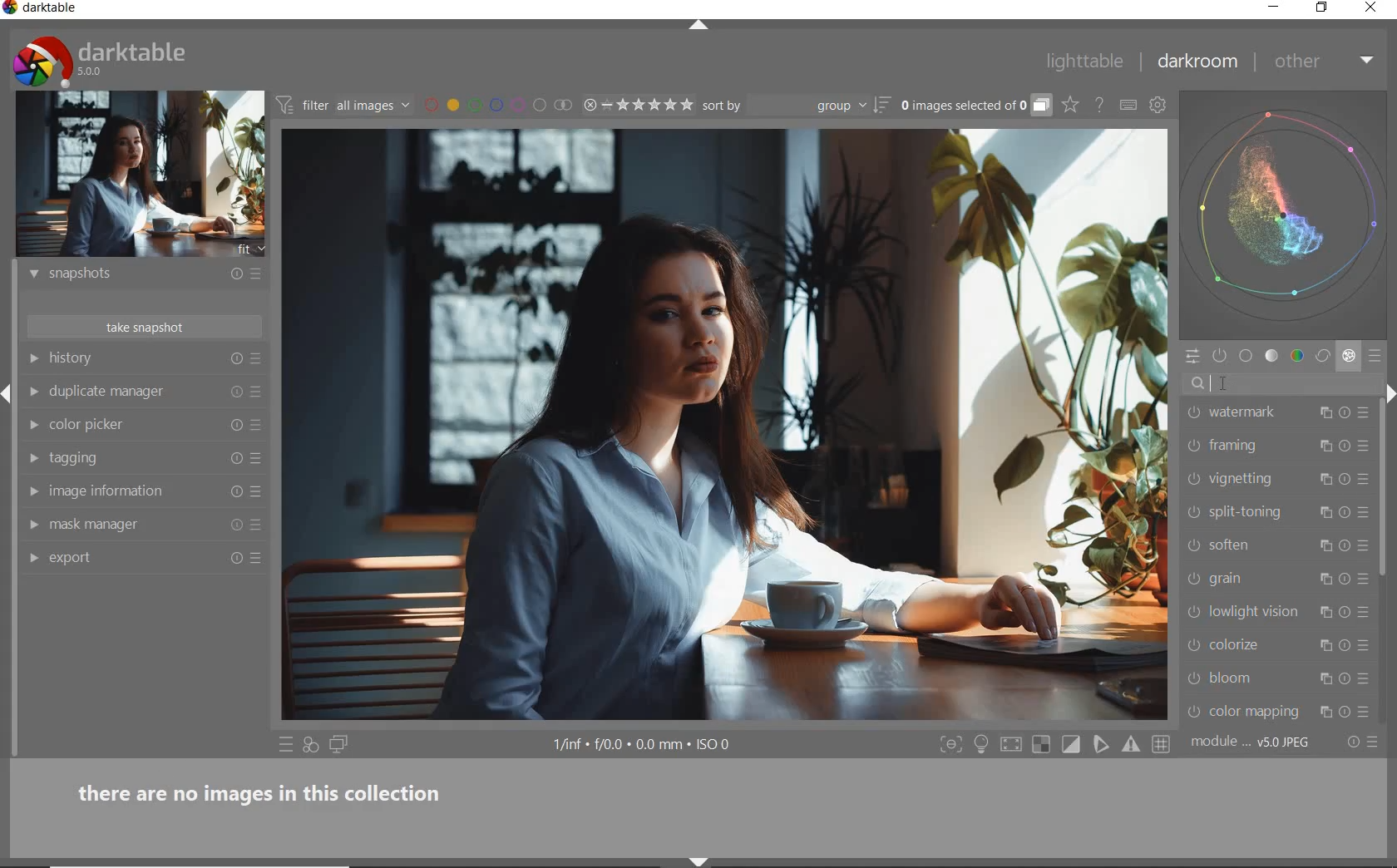 The height and width of the screenshot is (868, 1397). What do you see at coordinates (1281, 384) in the screenshot?
I see `search module by name` at bounding box center [1281, 384].